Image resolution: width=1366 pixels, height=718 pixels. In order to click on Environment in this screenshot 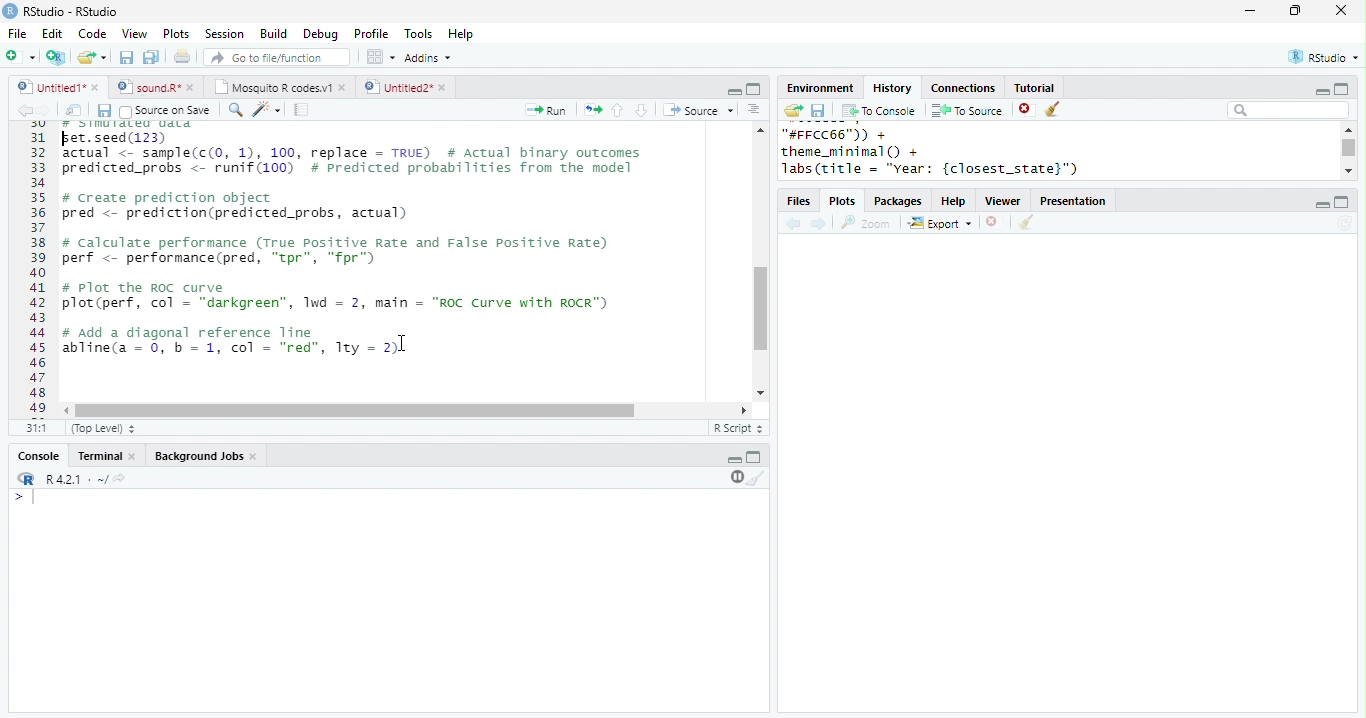, I will do `click(819, 88)`.